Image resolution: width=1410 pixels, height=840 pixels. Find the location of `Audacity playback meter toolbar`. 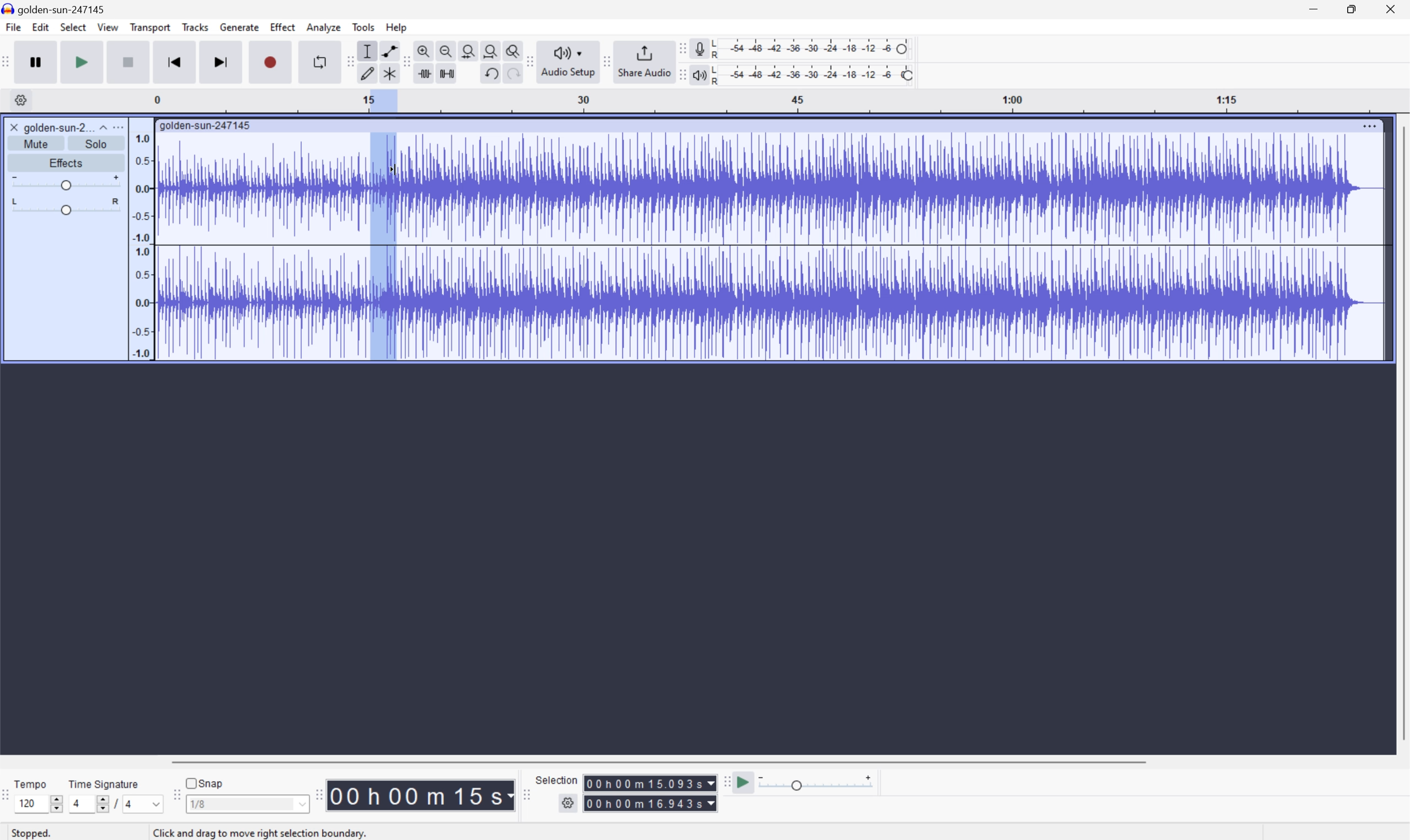

Audacity playback meter toolbar is located at coordinates (678, 76).